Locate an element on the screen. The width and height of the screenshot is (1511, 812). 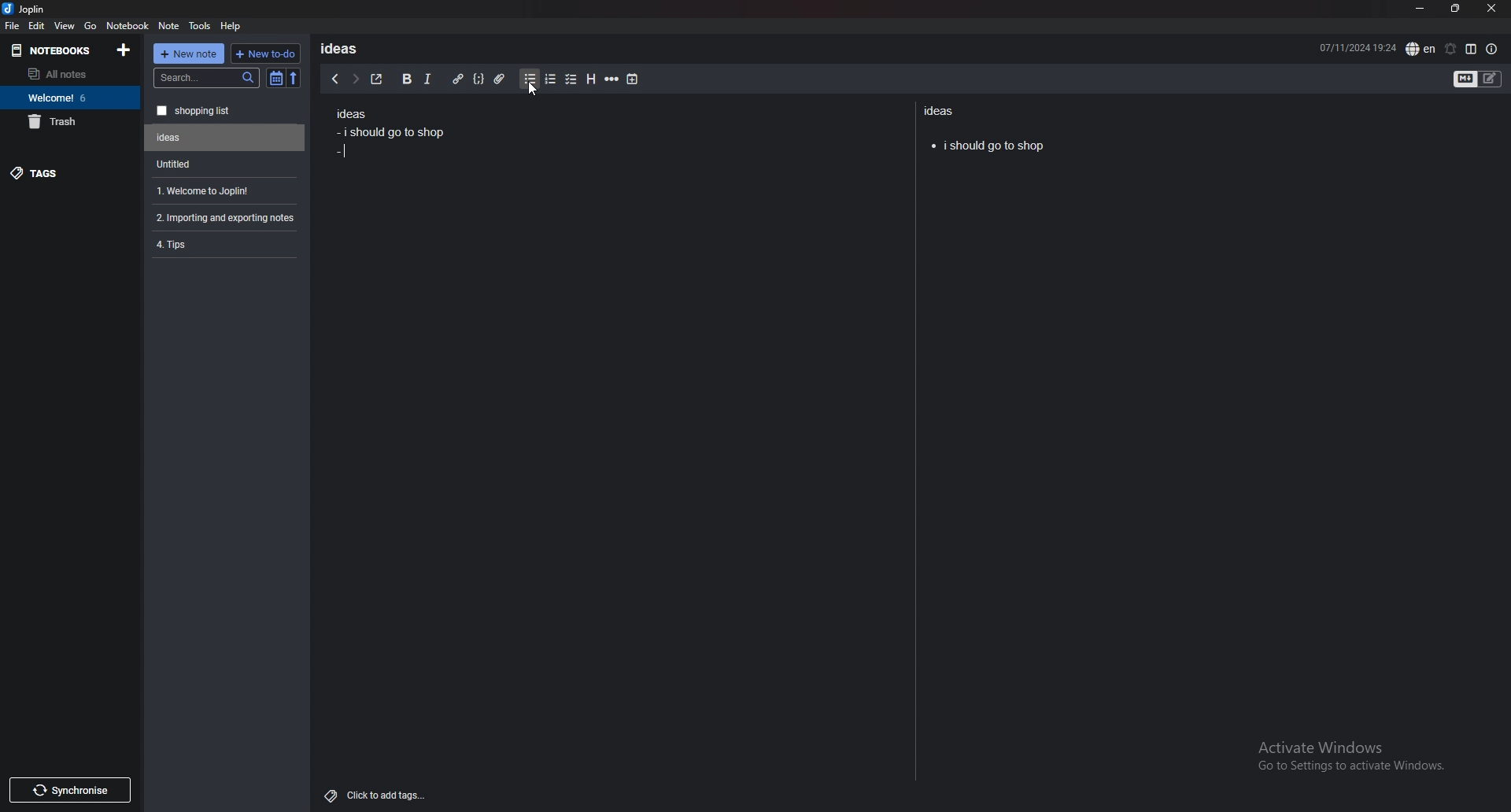
Welcome is located at coordinates (69, 97).